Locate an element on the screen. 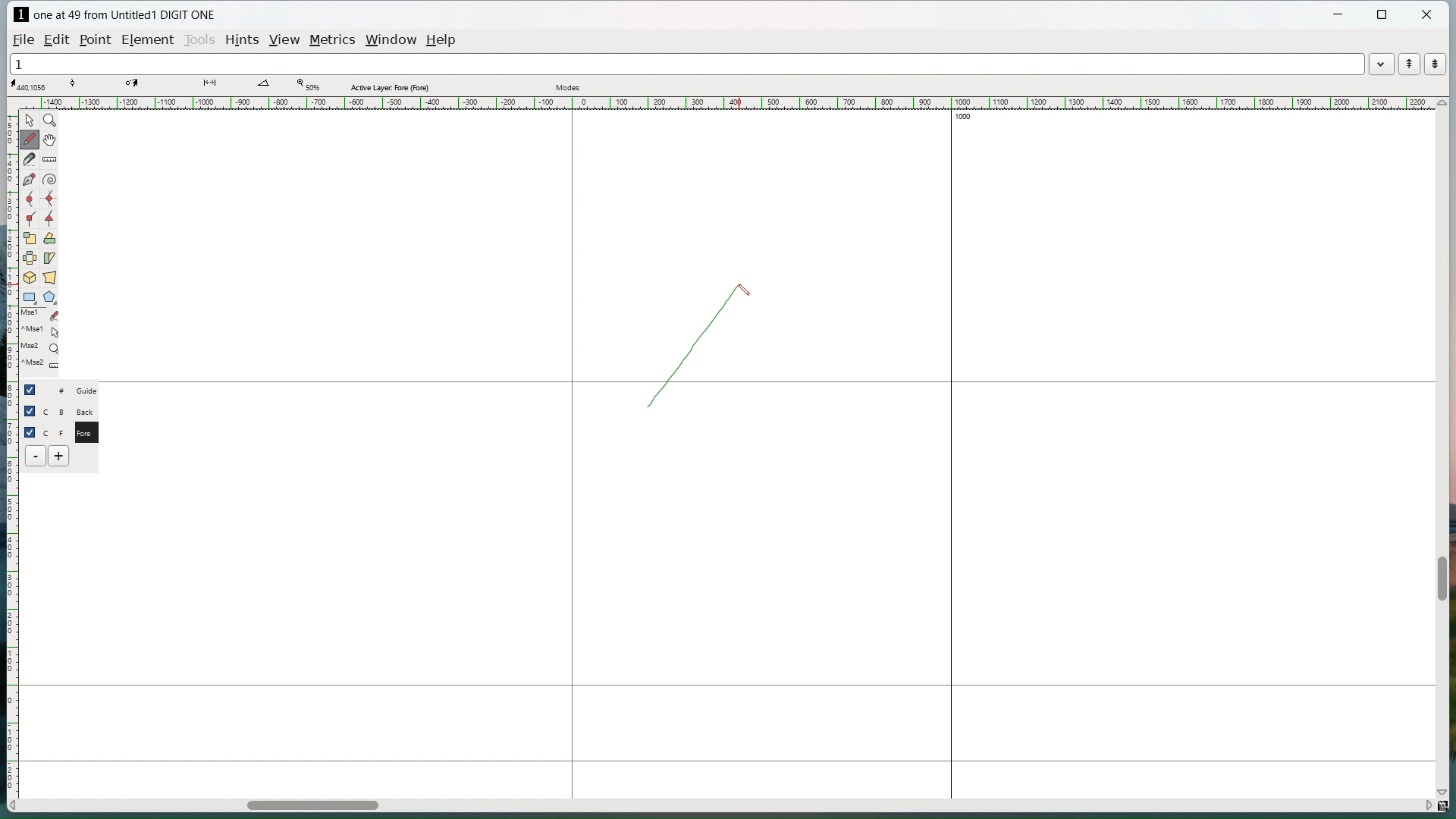 The image size is (1456, 819). help is located at coordinates (442, 40).